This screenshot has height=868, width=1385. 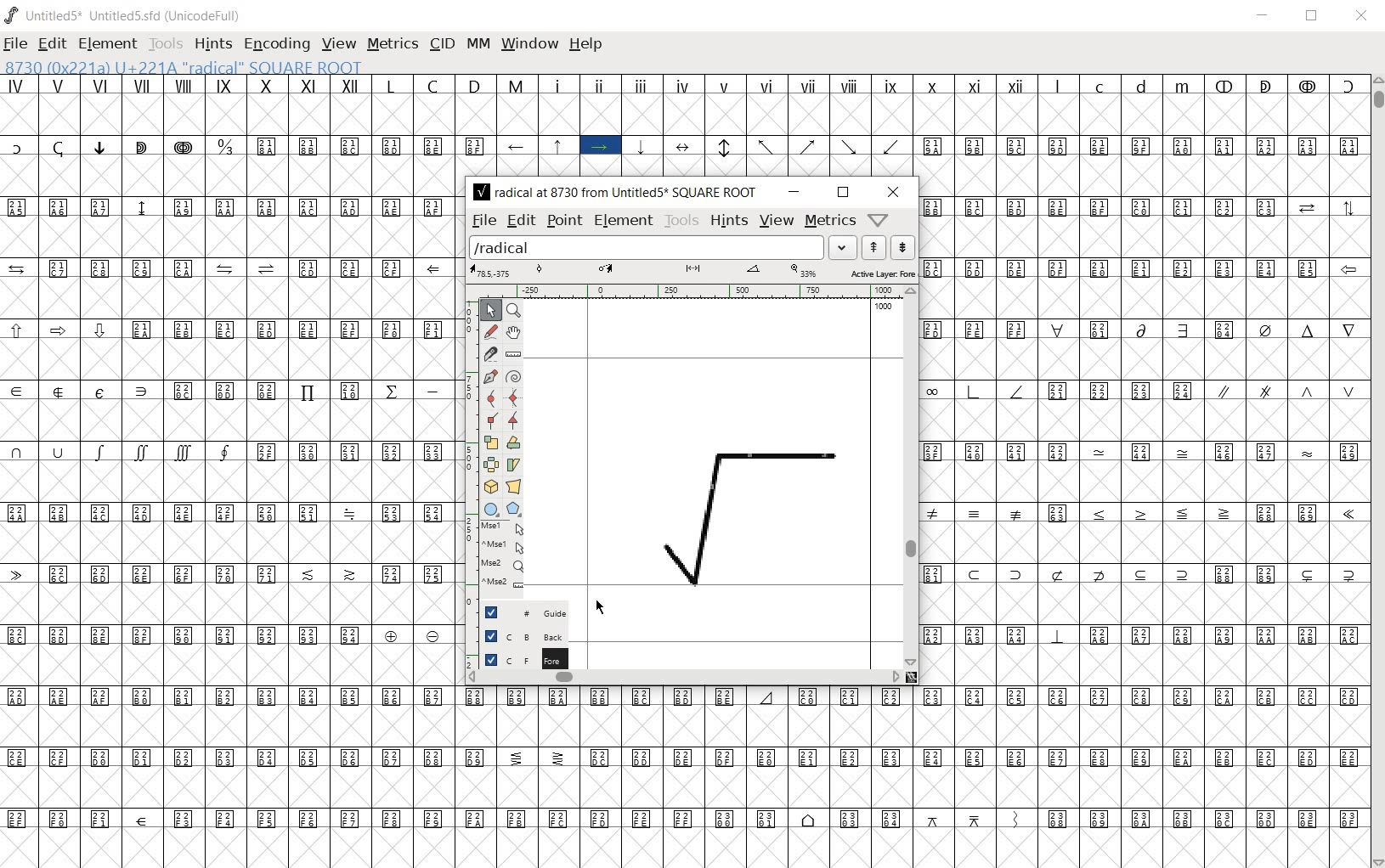 What do you see at coordinates (612, 194) in the screenshot?
I see `radical at 8730 from Untitled5 SQUARE ROOT` at bounding box center [612, 194].